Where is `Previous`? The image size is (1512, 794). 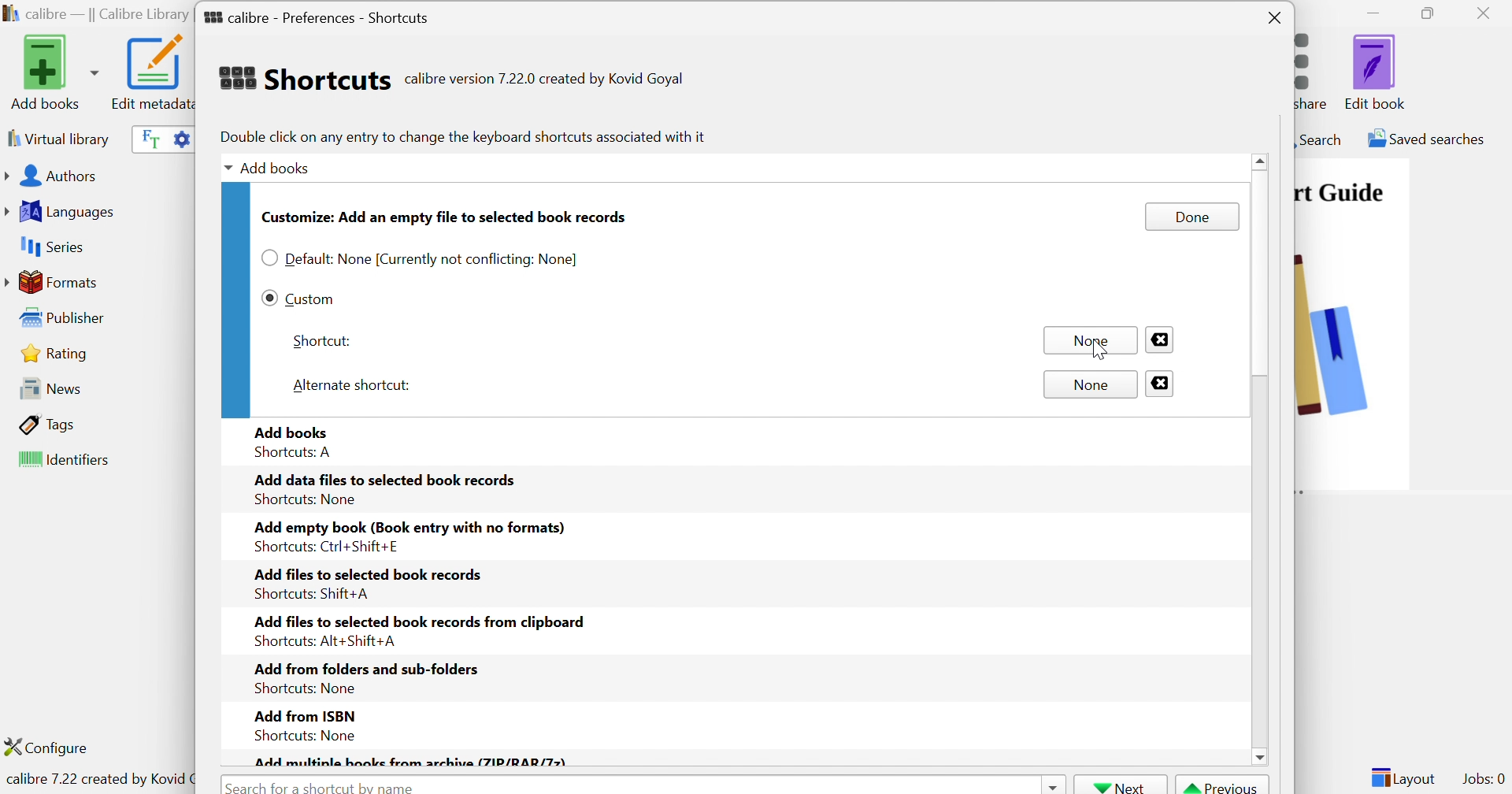 Previous is located at coordinates (1223, 785).